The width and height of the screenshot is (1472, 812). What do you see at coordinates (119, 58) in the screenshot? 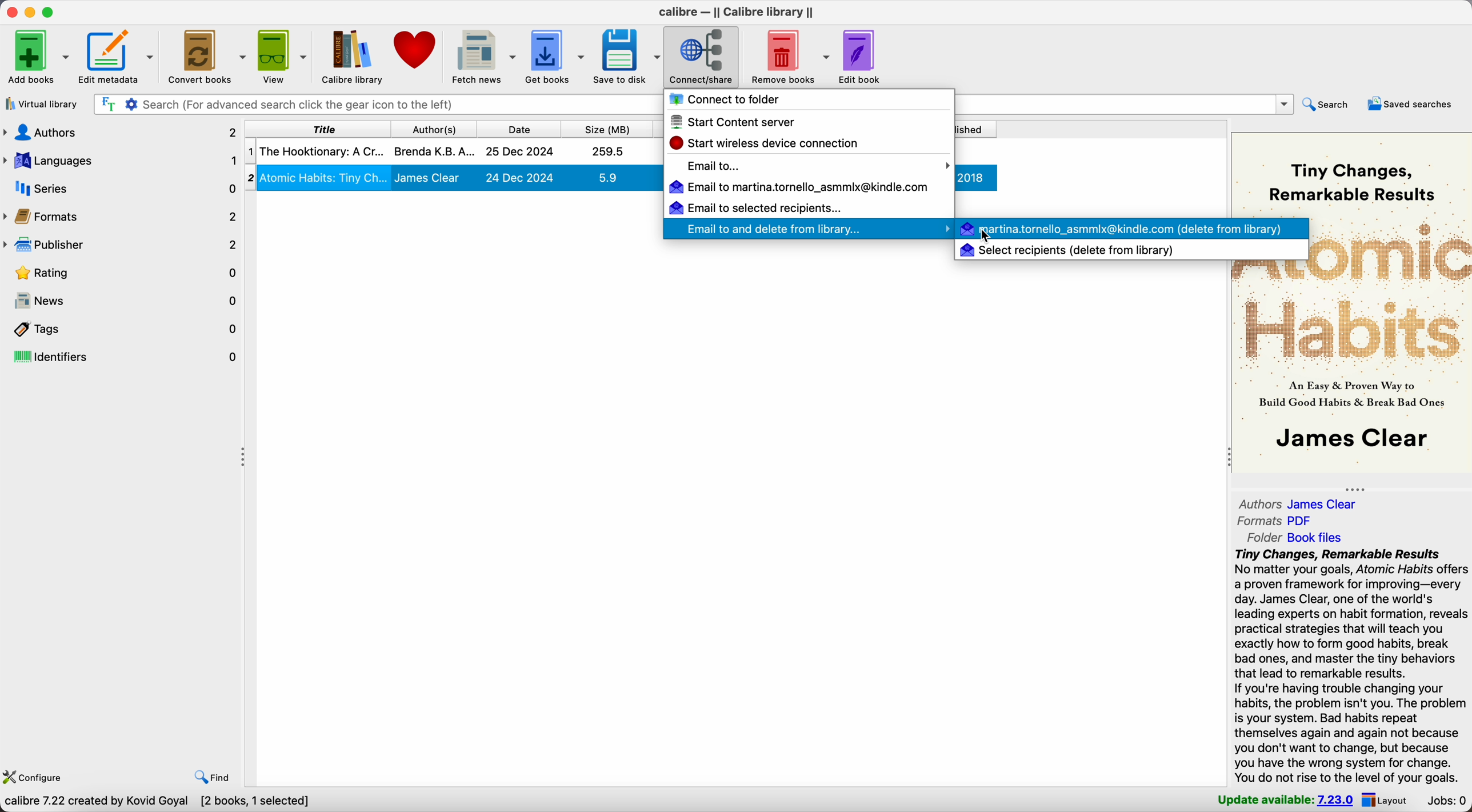
I see `edit metadata` at bounding box center [119, 58].